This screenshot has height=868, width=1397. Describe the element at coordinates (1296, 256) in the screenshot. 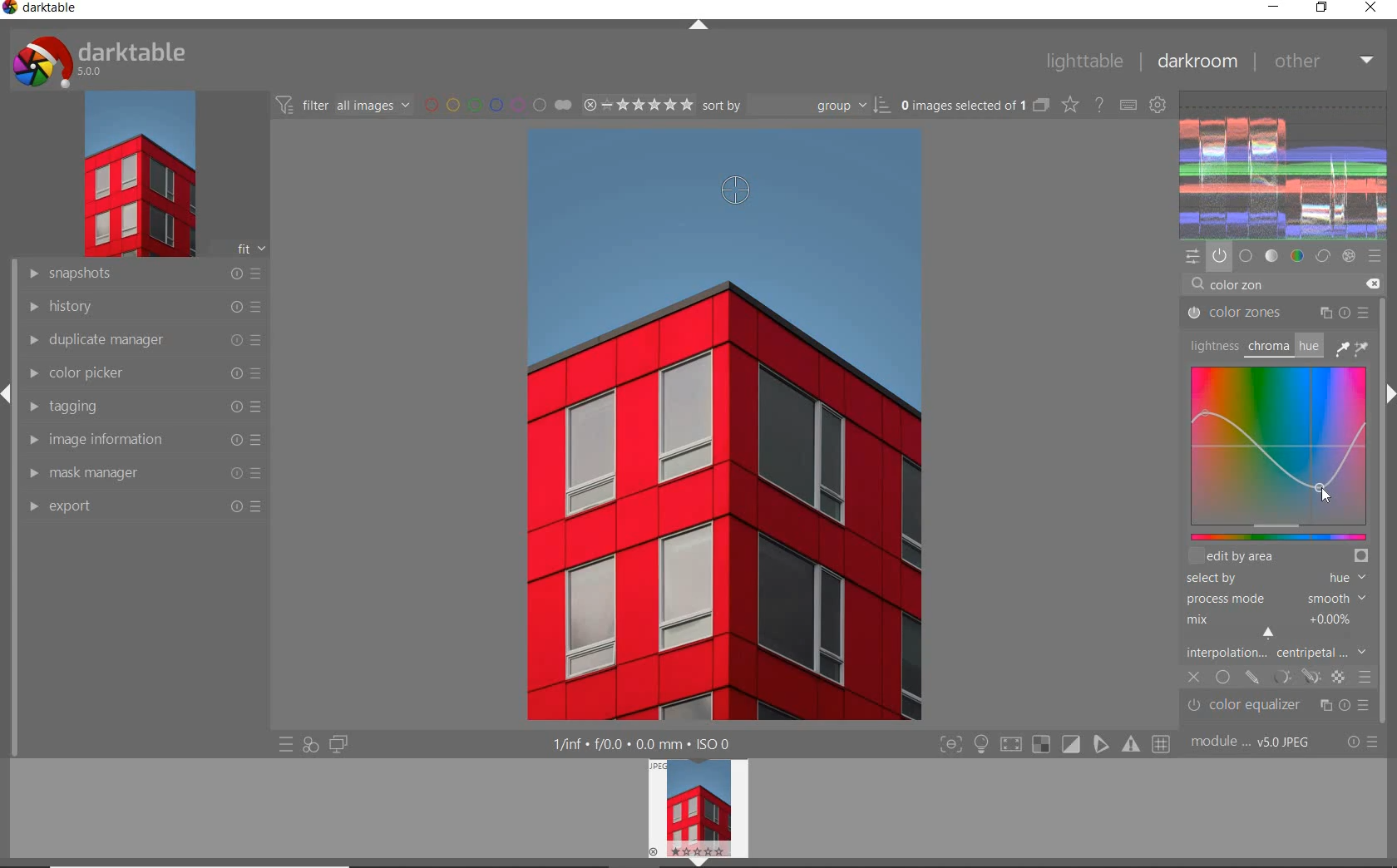

I see `color` at that location.